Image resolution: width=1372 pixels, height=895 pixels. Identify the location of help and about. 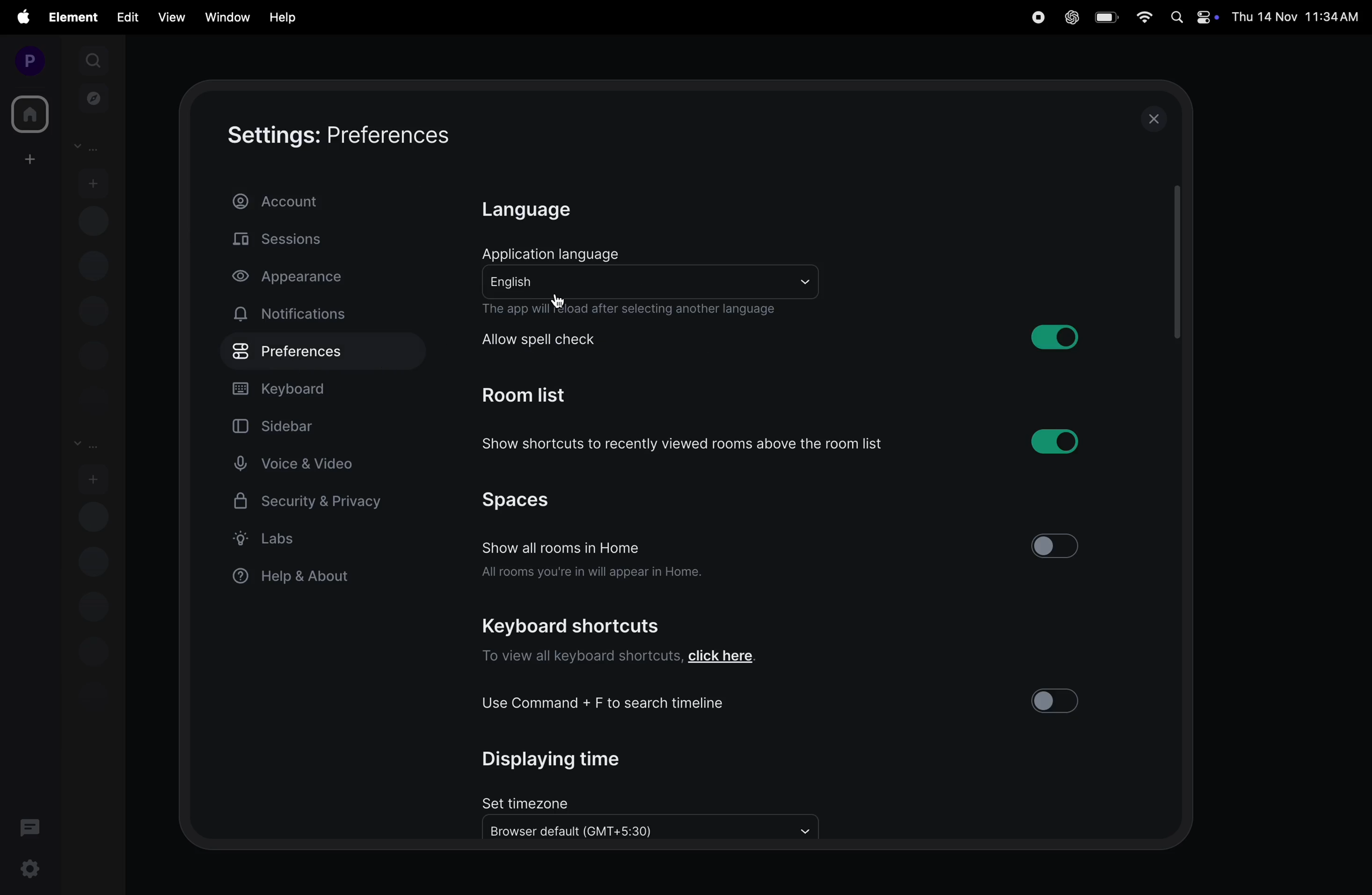
(300, 579).